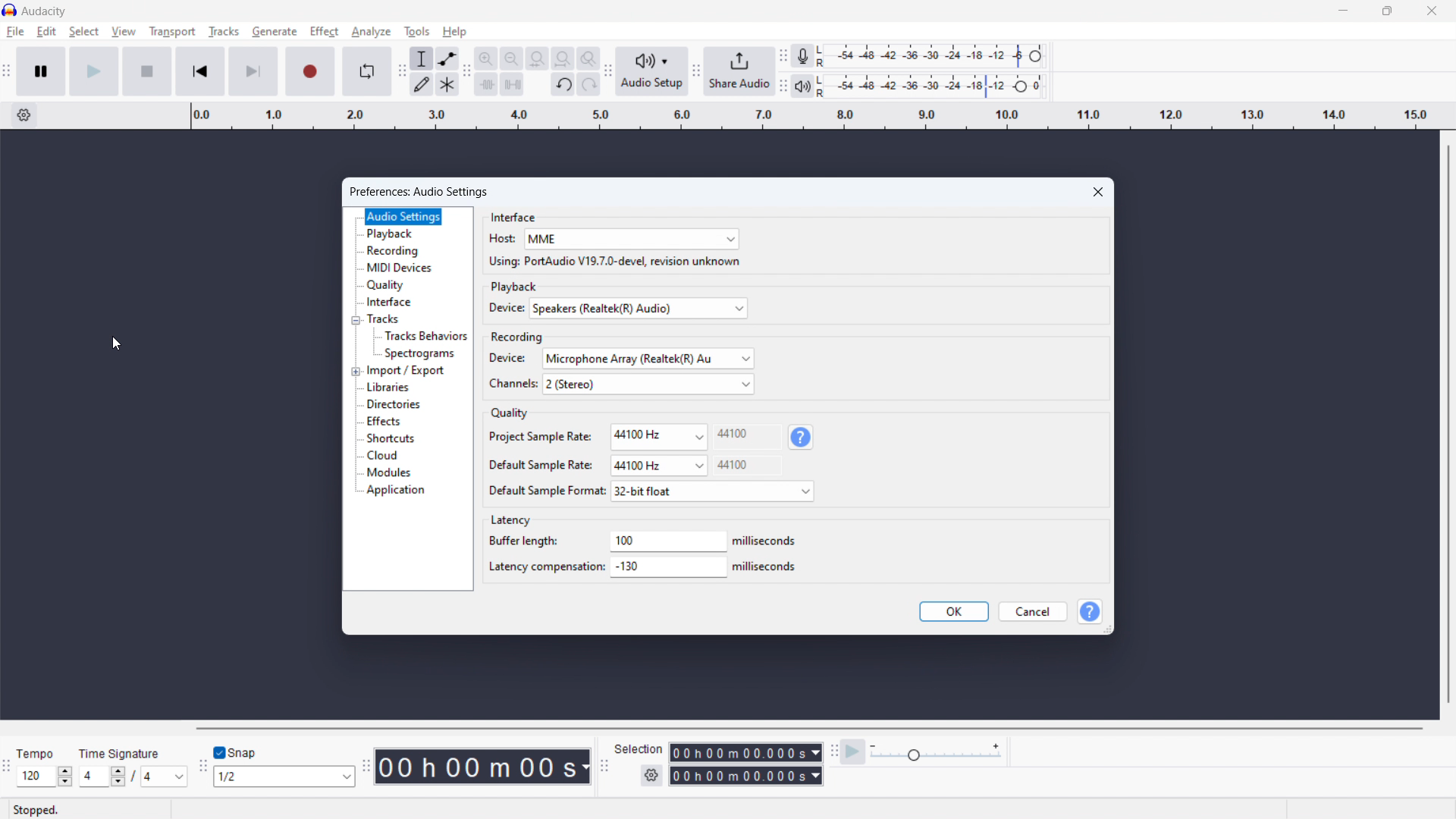 The height and width of the screenshot is (819, 1456). What do you see at coordinates (389, 472) in the screenshot?
I see `modules` at bounding box center [389, 472].